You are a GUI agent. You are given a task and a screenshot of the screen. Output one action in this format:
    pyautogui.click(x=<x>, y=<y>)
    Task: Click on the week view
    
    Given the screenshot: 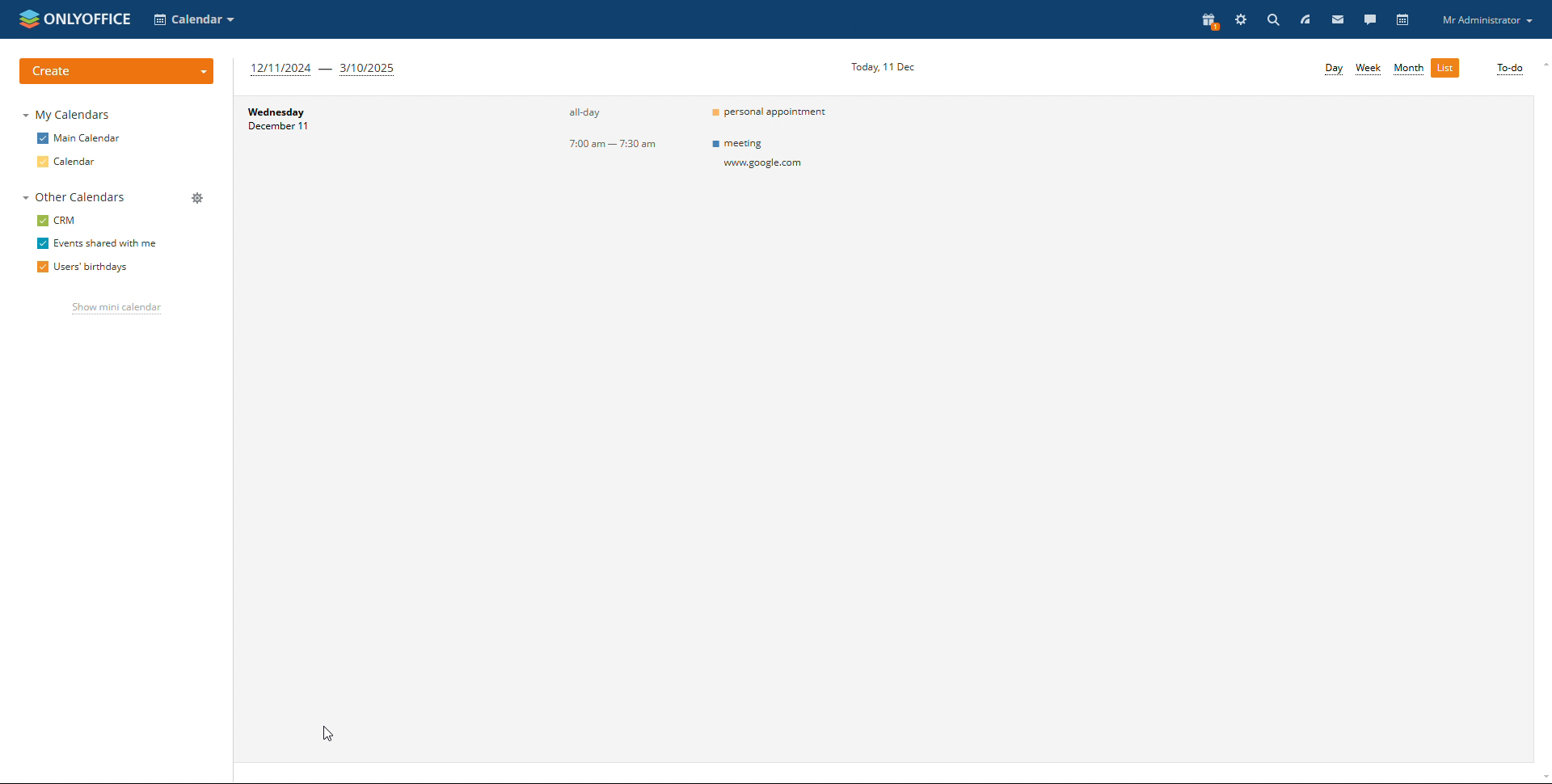 What is the action you would take?
    pyautogui.click(x=1368, y=69)
    